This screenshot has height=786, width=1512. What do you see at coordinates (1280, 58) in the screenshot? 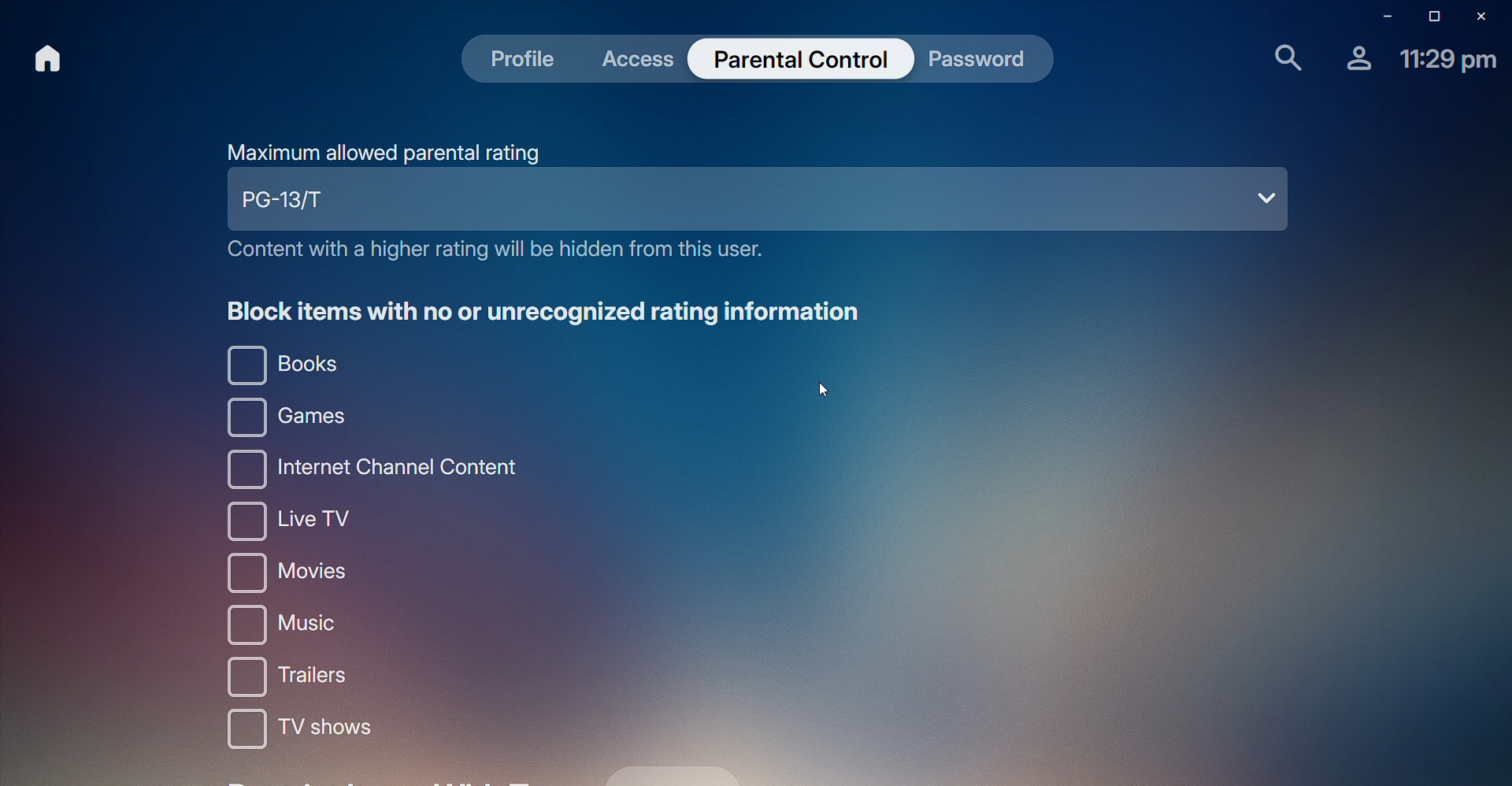
I see `Find` at bounding box center [1280, 58].